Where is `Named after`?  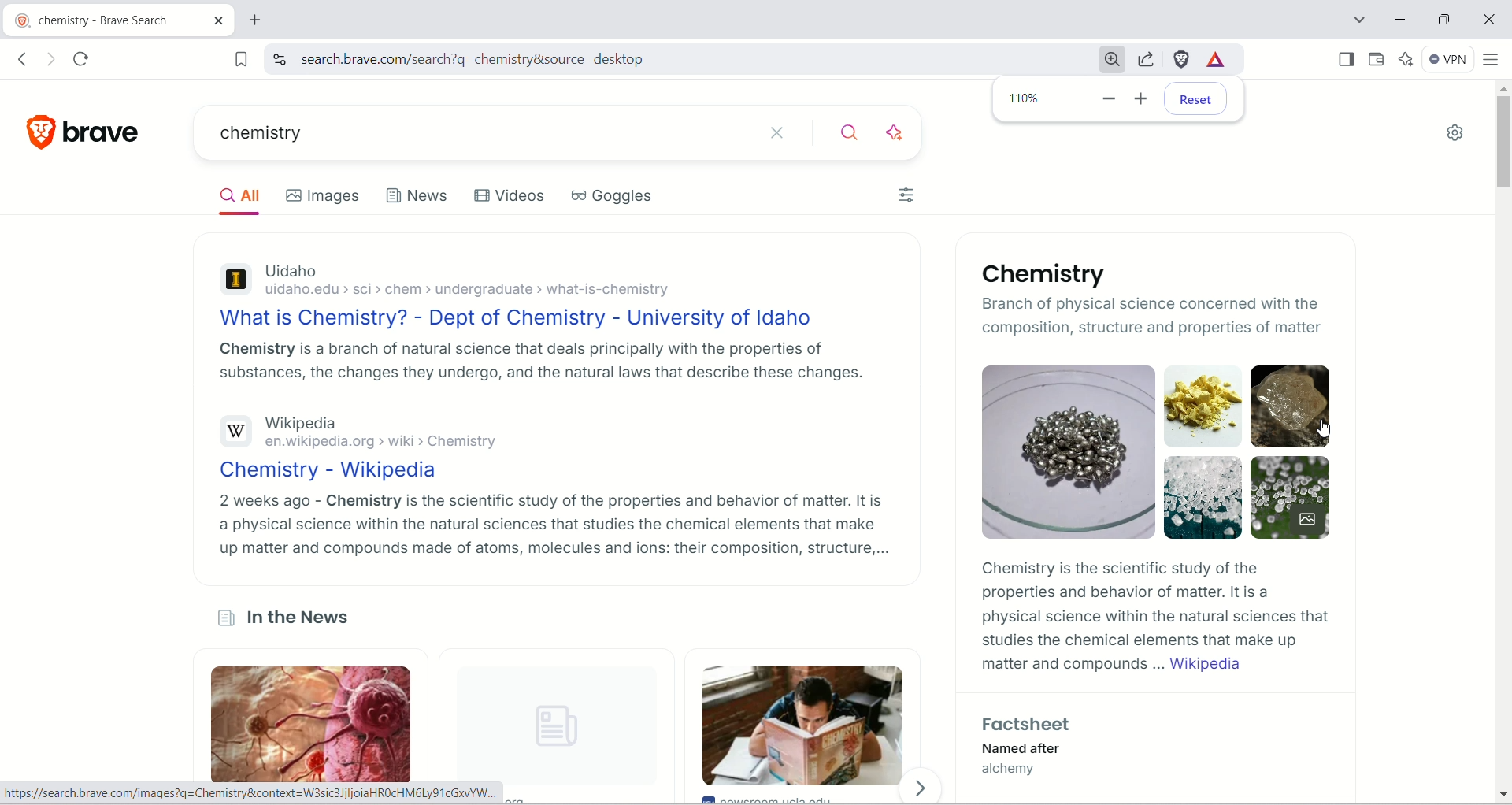 Named after is located at coordinates (1022, 747).